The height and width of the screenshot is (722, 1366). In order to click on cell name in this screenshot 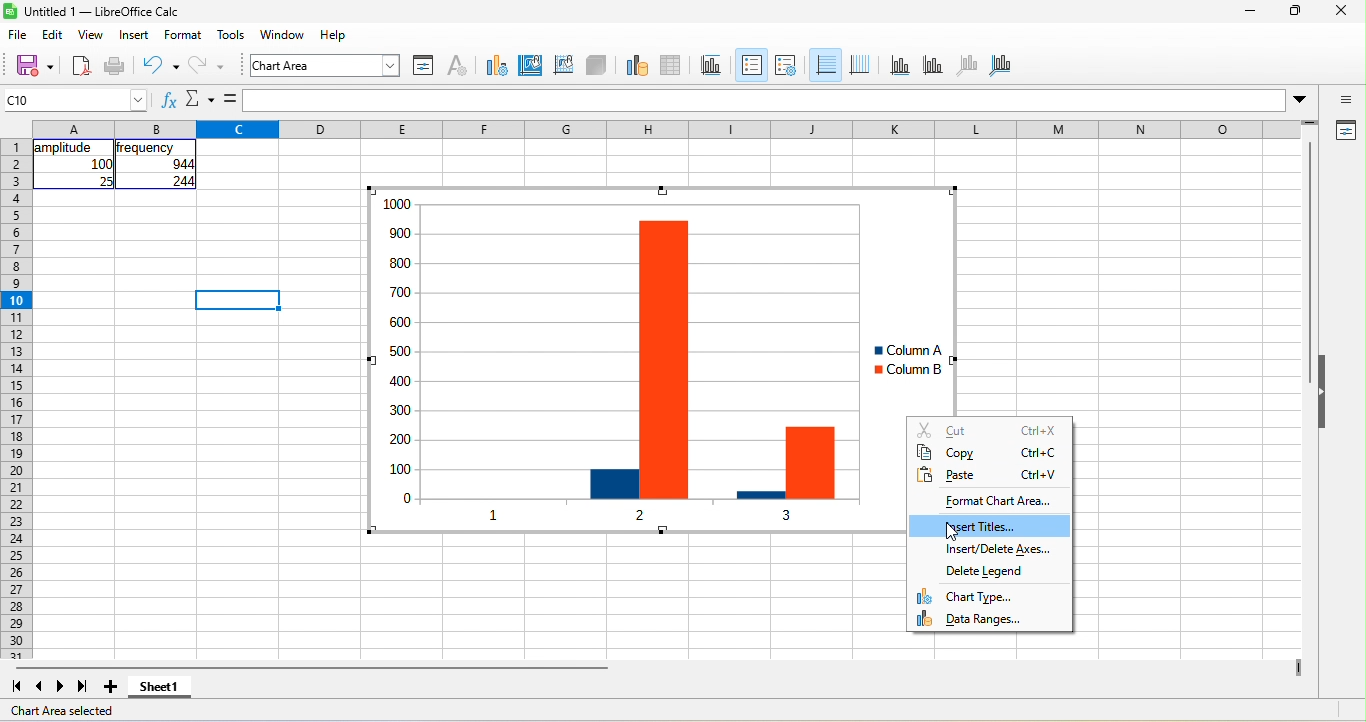, I will do `click(74, 100)`.